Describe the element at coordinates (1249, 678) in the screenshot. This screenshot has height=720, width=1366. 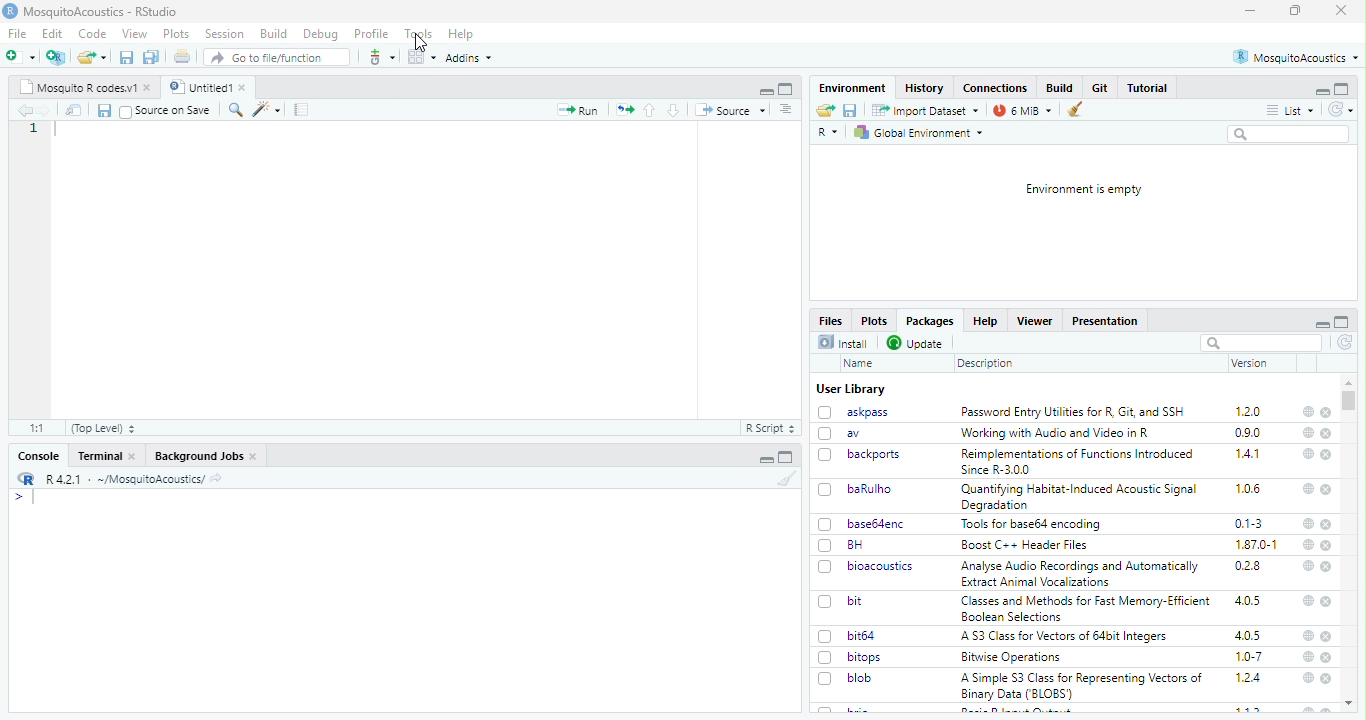
I see `124` at that location.